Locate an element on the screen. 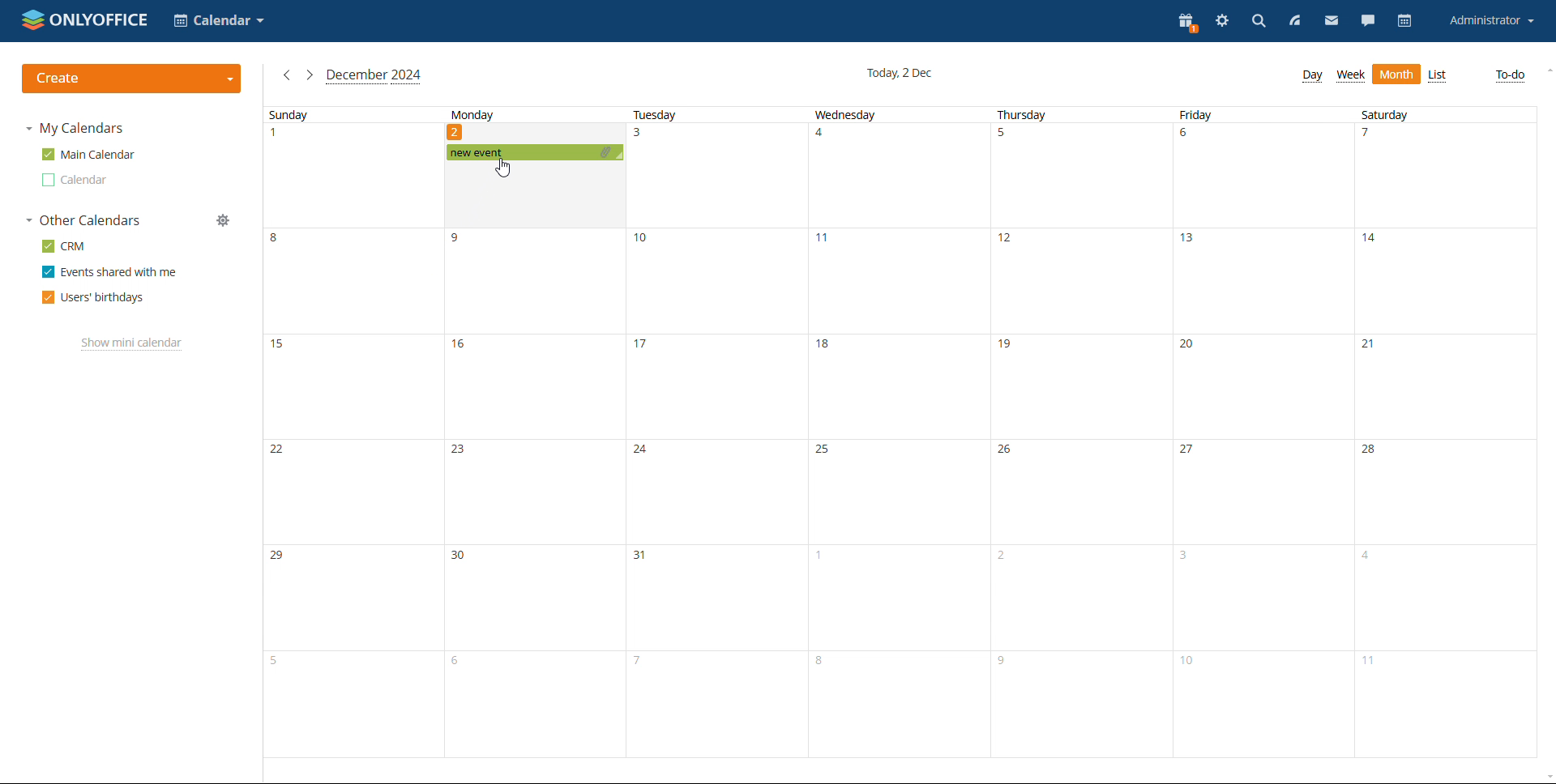 The height and width of the screenshot is (784, 1556). 26 is located at coordinates (1008, 452).